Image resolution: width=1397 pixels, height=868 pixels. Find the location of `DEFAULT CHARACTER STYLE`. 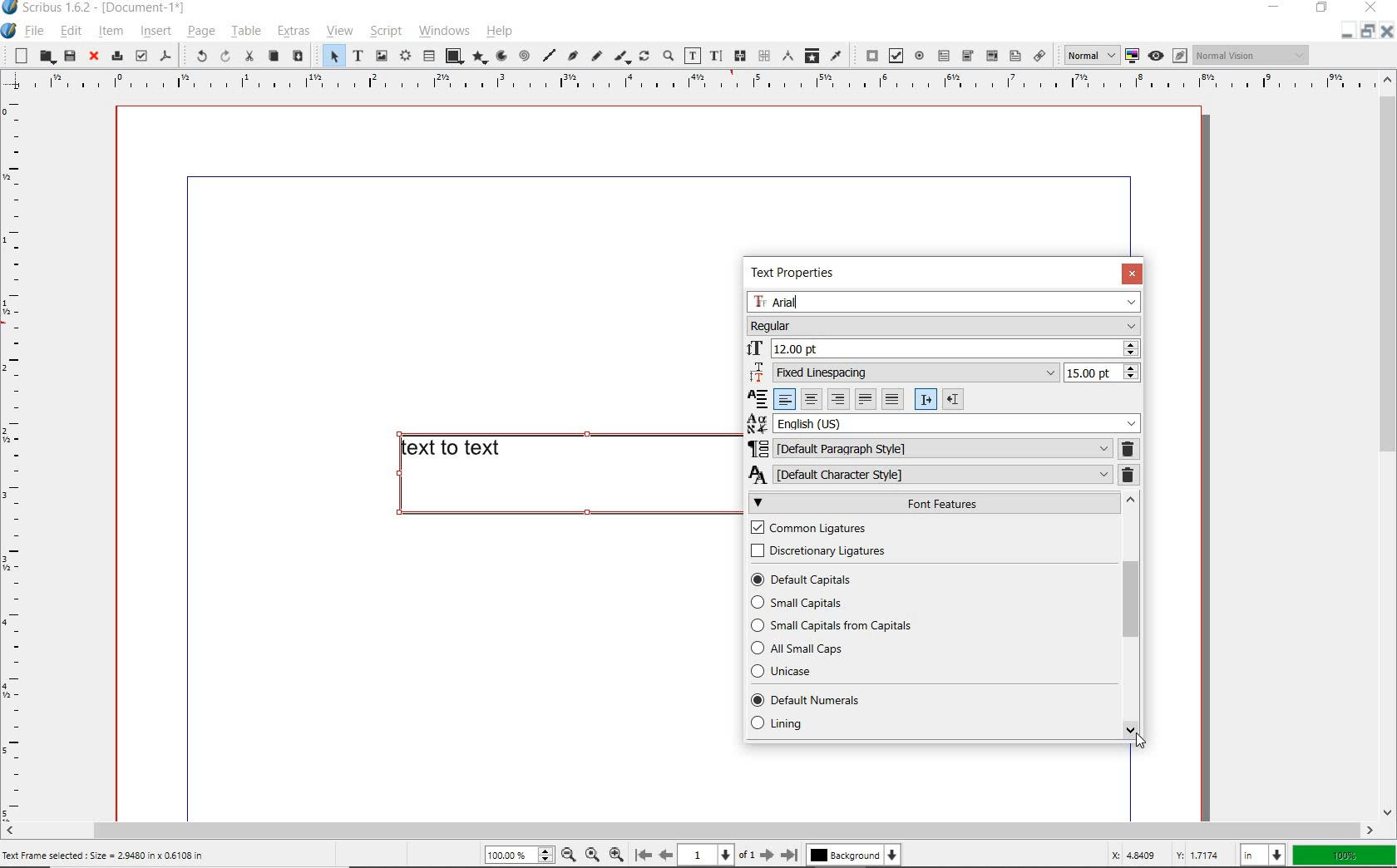

DEFAULT CHARACTER STYLE is located at coordinates (932, 476).